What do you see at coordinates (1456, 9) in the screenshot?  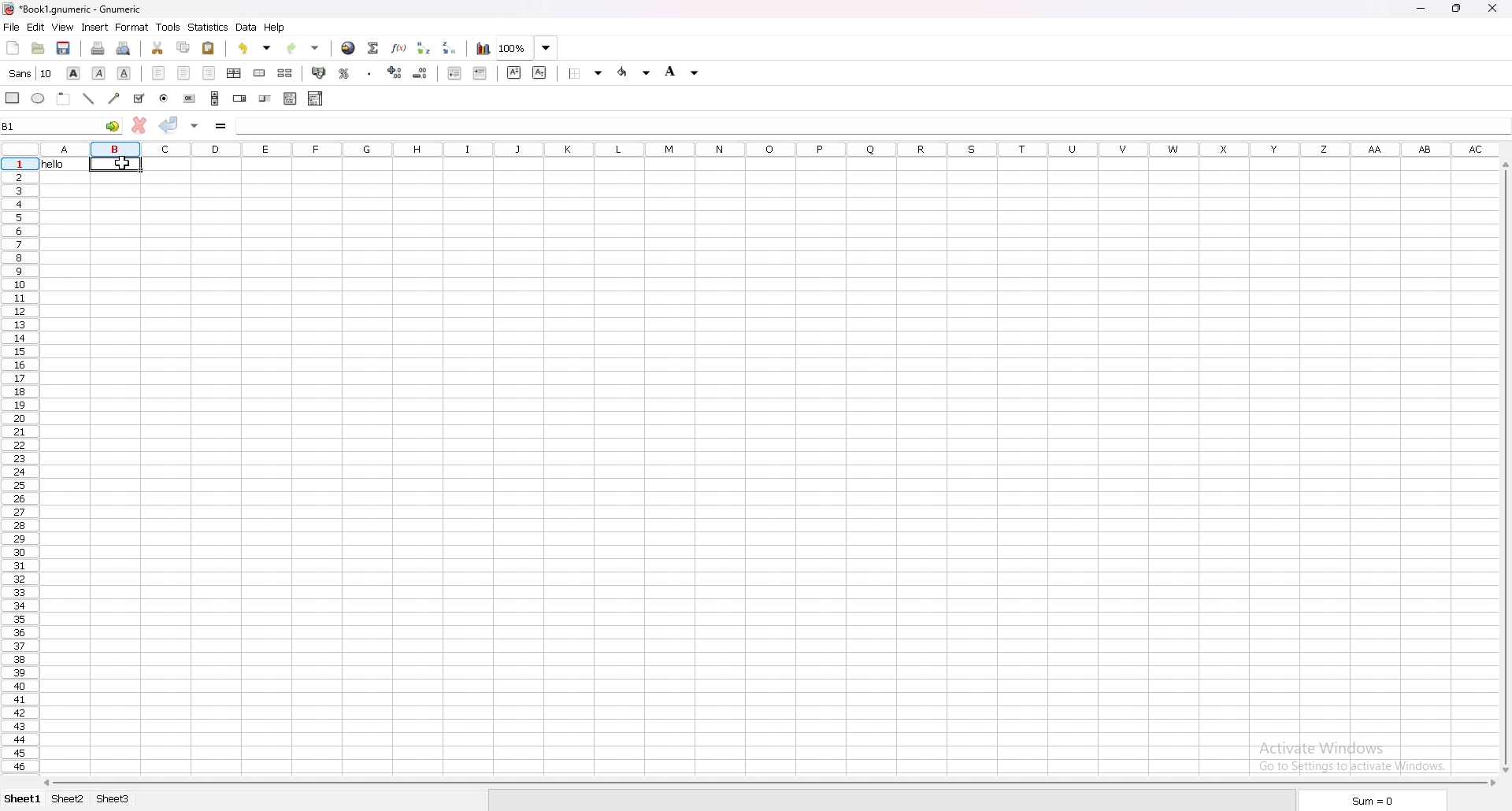 I see `resize` at bounding box center [1456, 9].